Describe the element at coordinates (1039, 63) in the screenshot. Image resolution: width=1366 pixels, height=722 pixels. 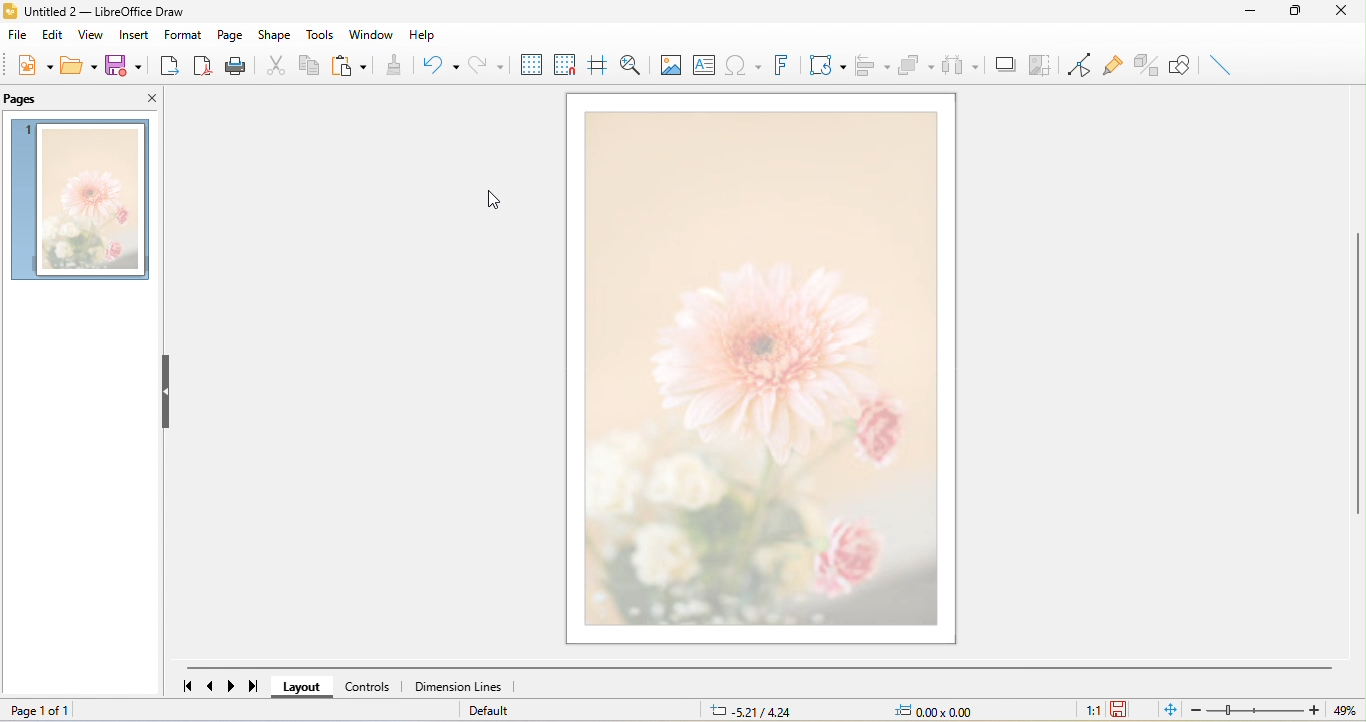
I see `crop image` at that location.